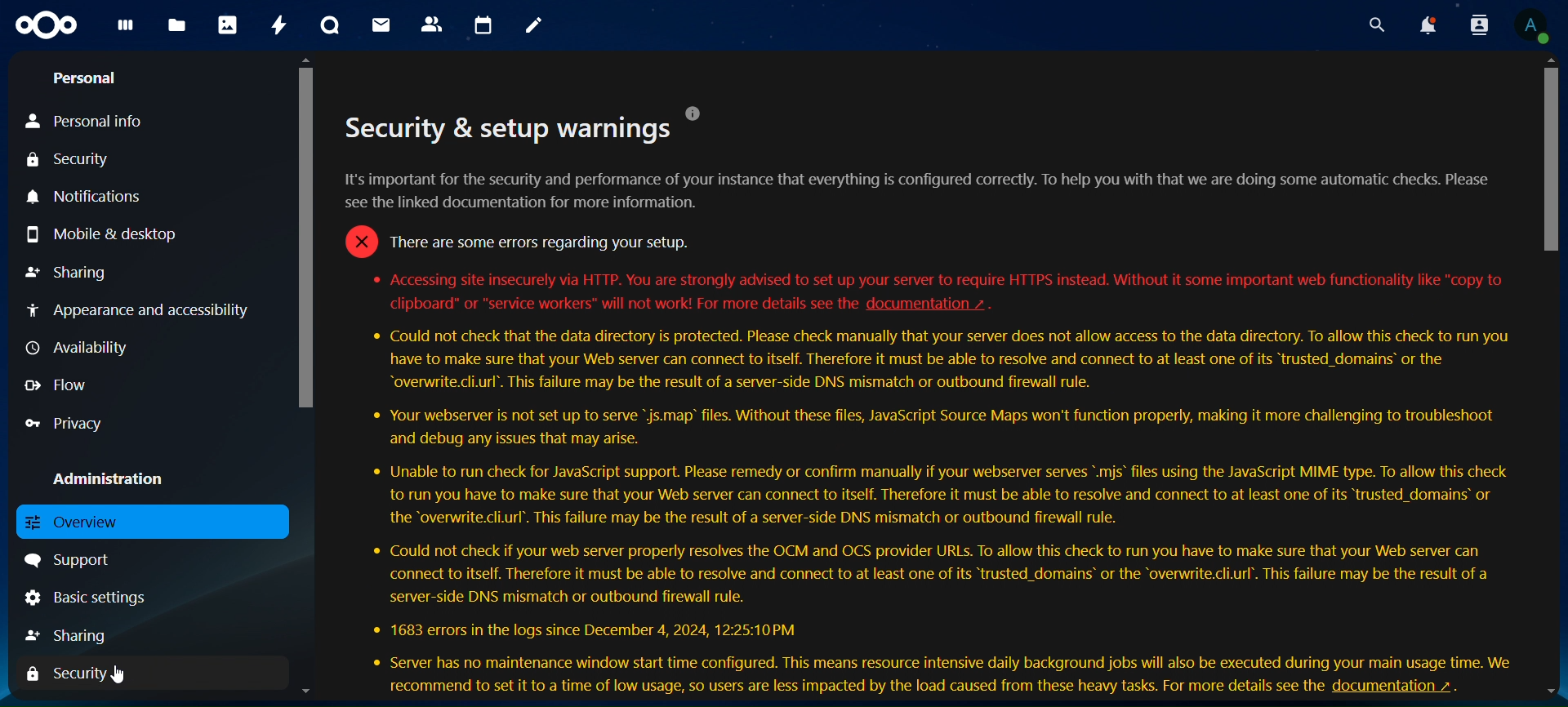 The height and width of the screenshot is (707, 1568). Describe the element at coordinates (432, 23) in the screenshot. I see `contact` at that location.